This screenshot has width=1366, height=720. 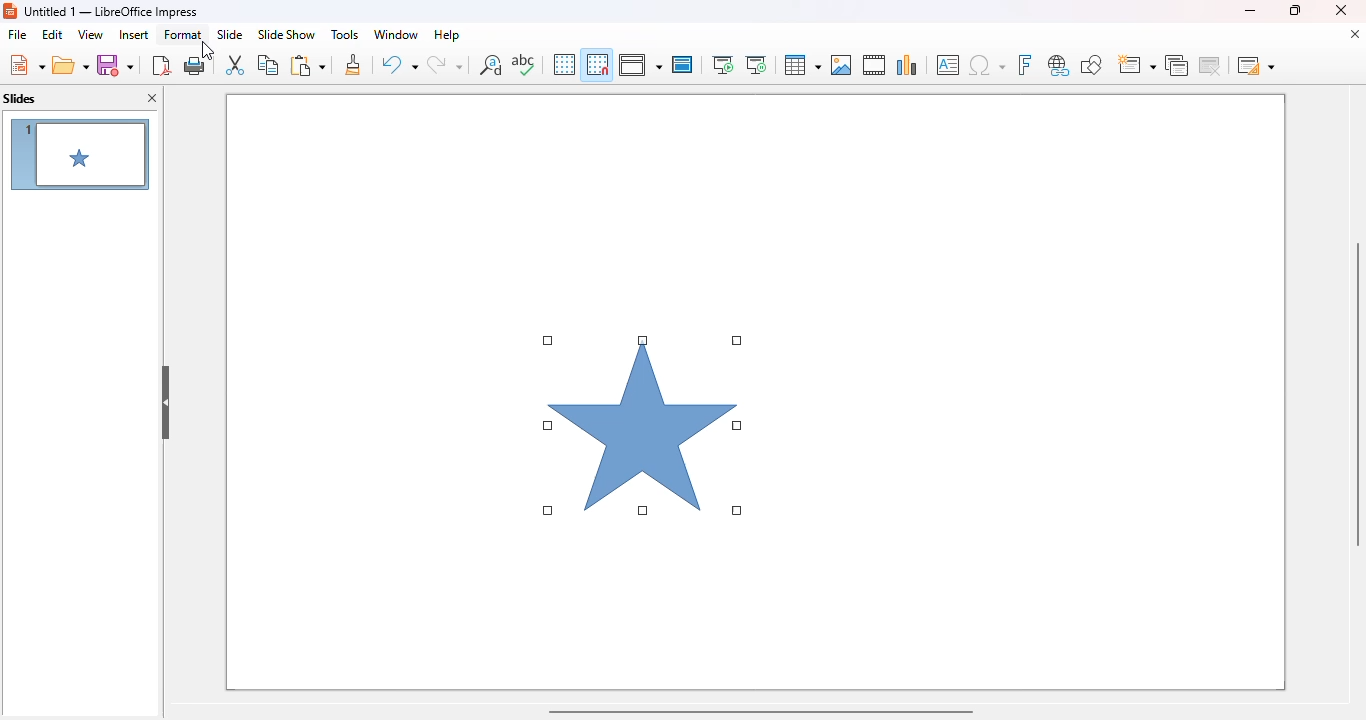 What do you see at coordinates (154, 99) in the screenshot?
I see `close pane` at bounding box center [154, 99].